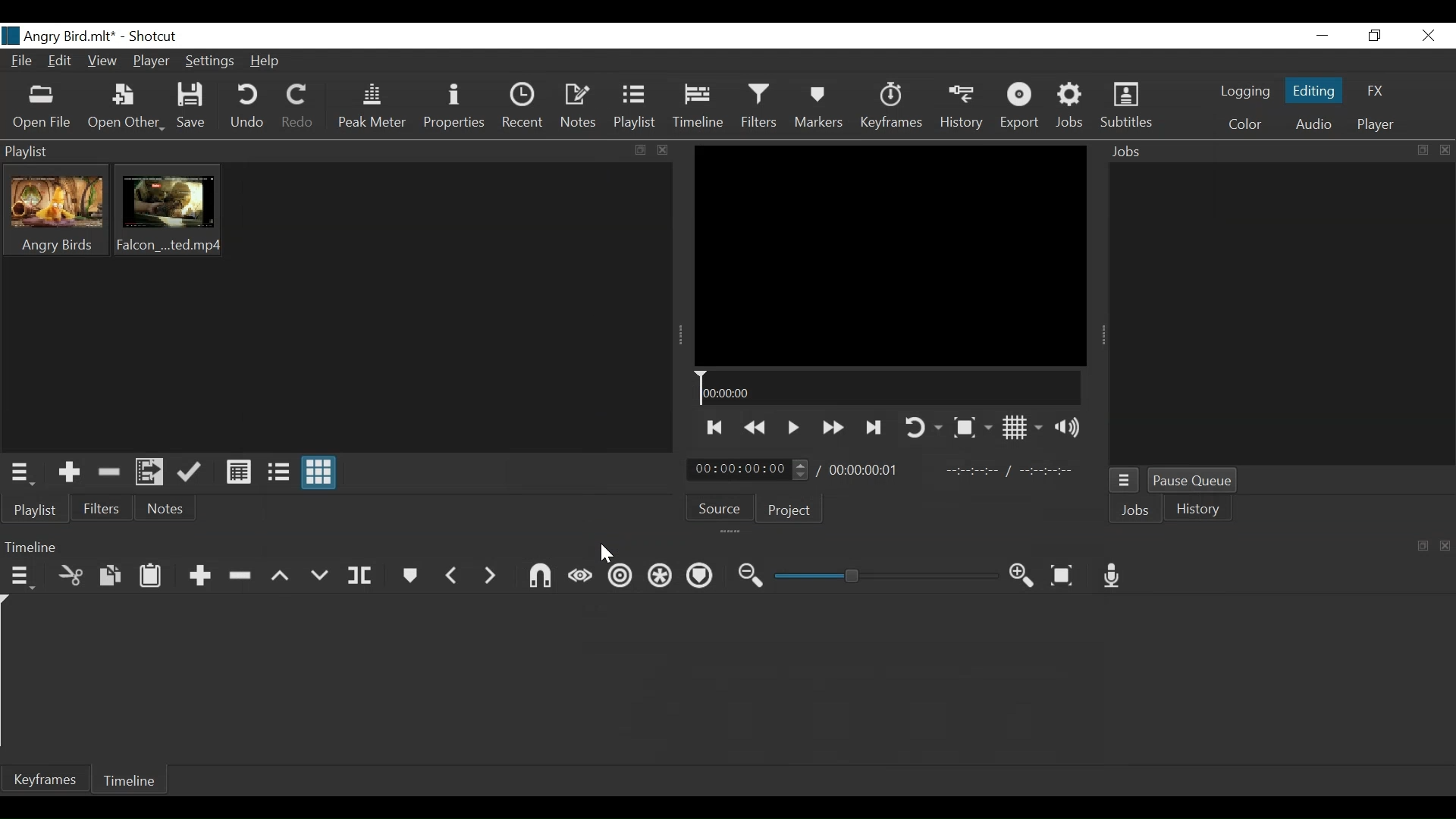 The height and width of the screenshot is (819, 1456). Describe the element at coordinates (1323, 36) in the screenshot. I see `minimize` at that location.